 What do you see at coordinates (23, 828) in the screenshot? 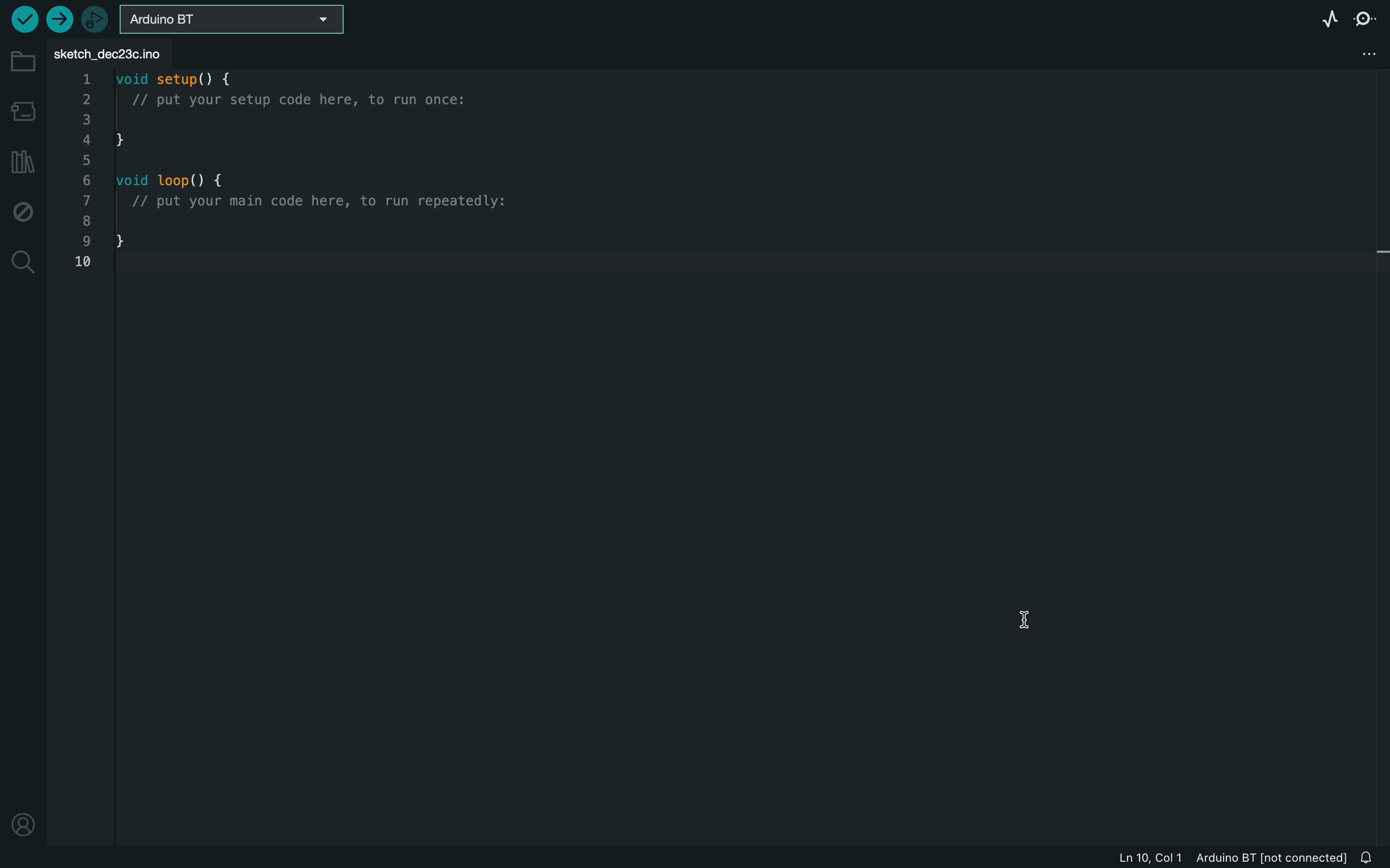
I see `location` at bounding box center [23, 828].